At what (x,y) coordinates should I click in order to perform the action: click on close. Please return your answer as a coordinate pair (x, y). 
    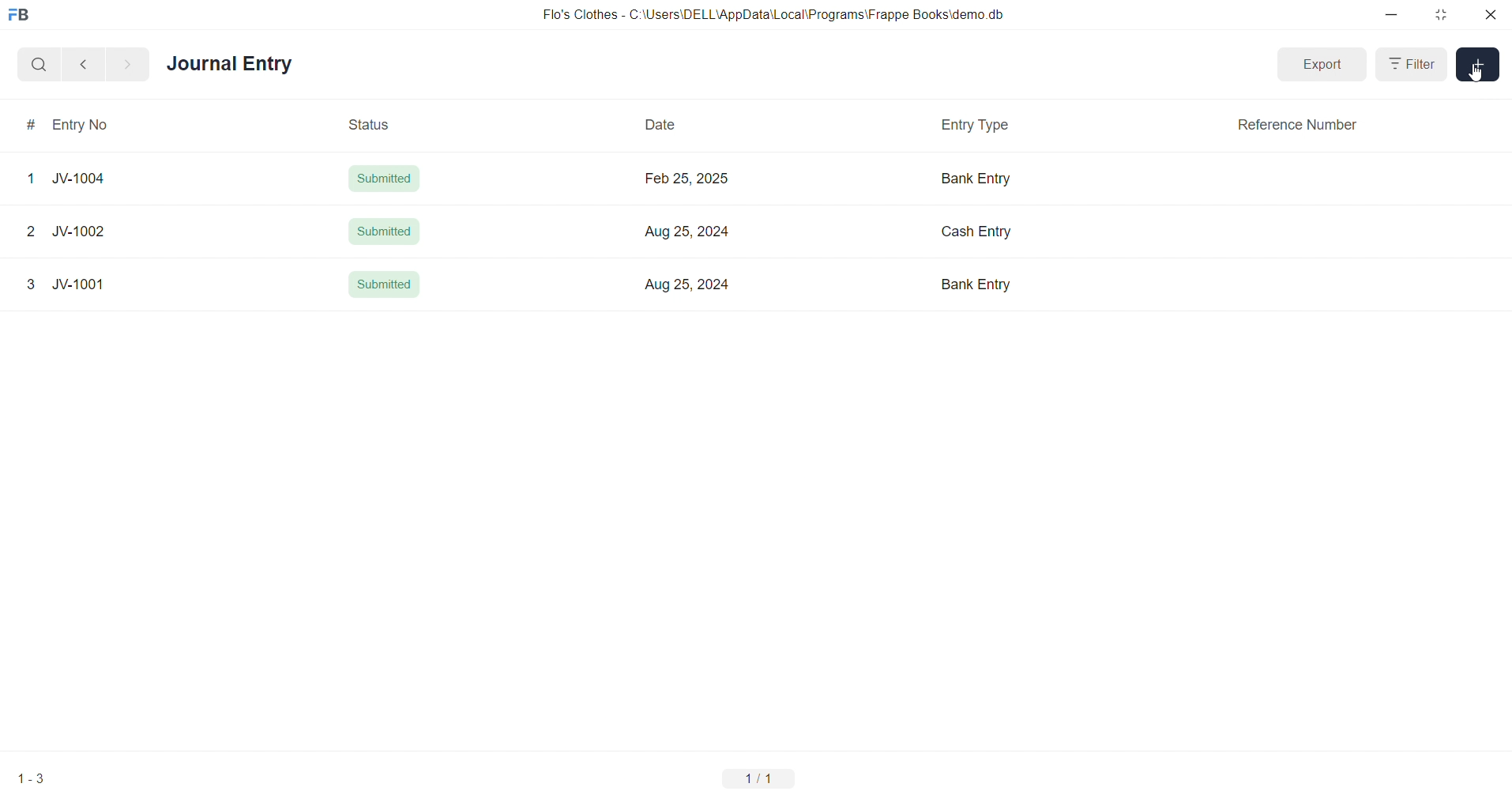
    Looking at the image, I should click on (1489, 16).